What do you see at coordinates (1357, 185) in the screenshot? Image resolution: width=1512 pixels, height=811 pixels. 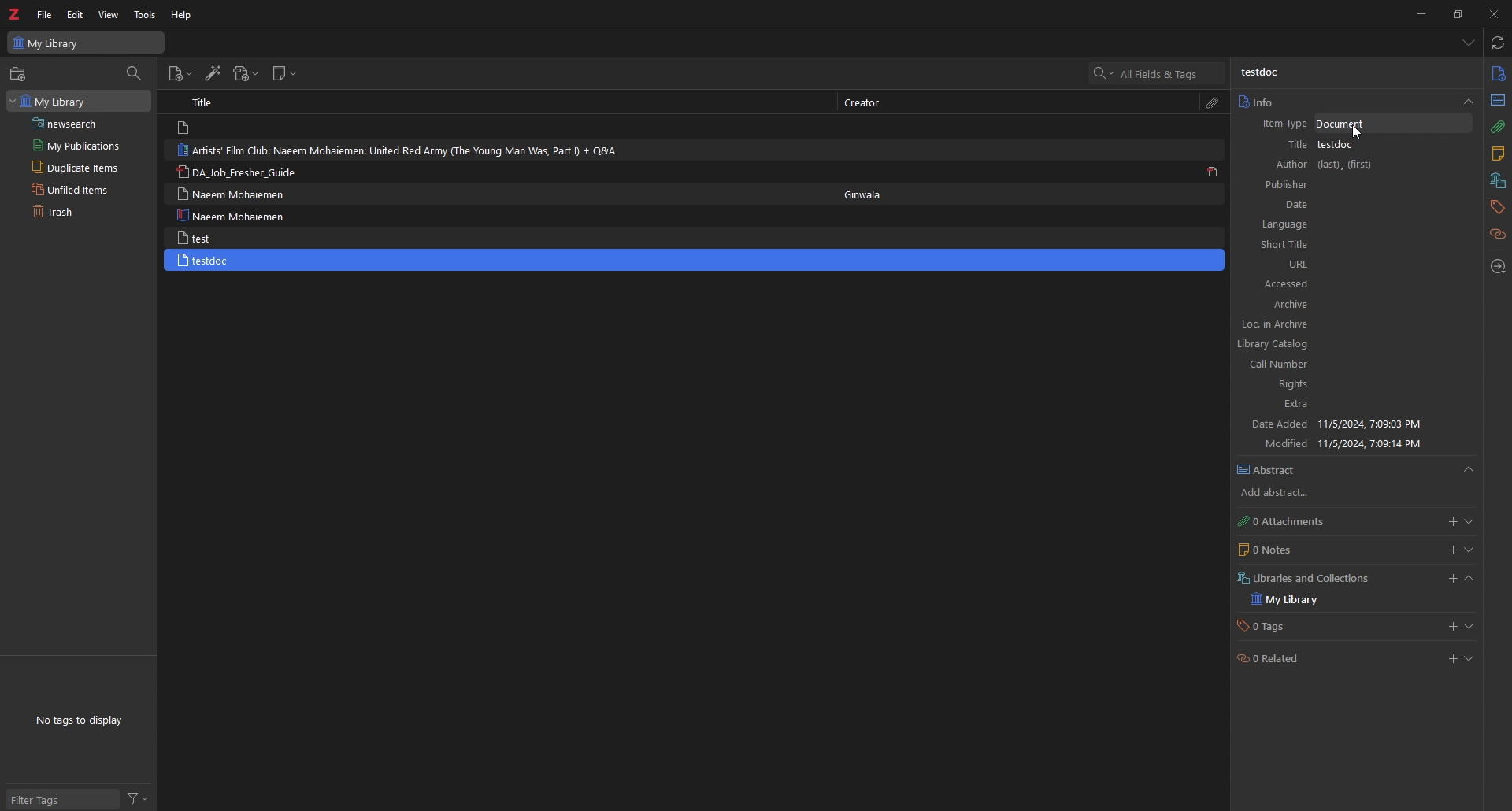 I see `Publisher` at bounding box center [1357, 185].